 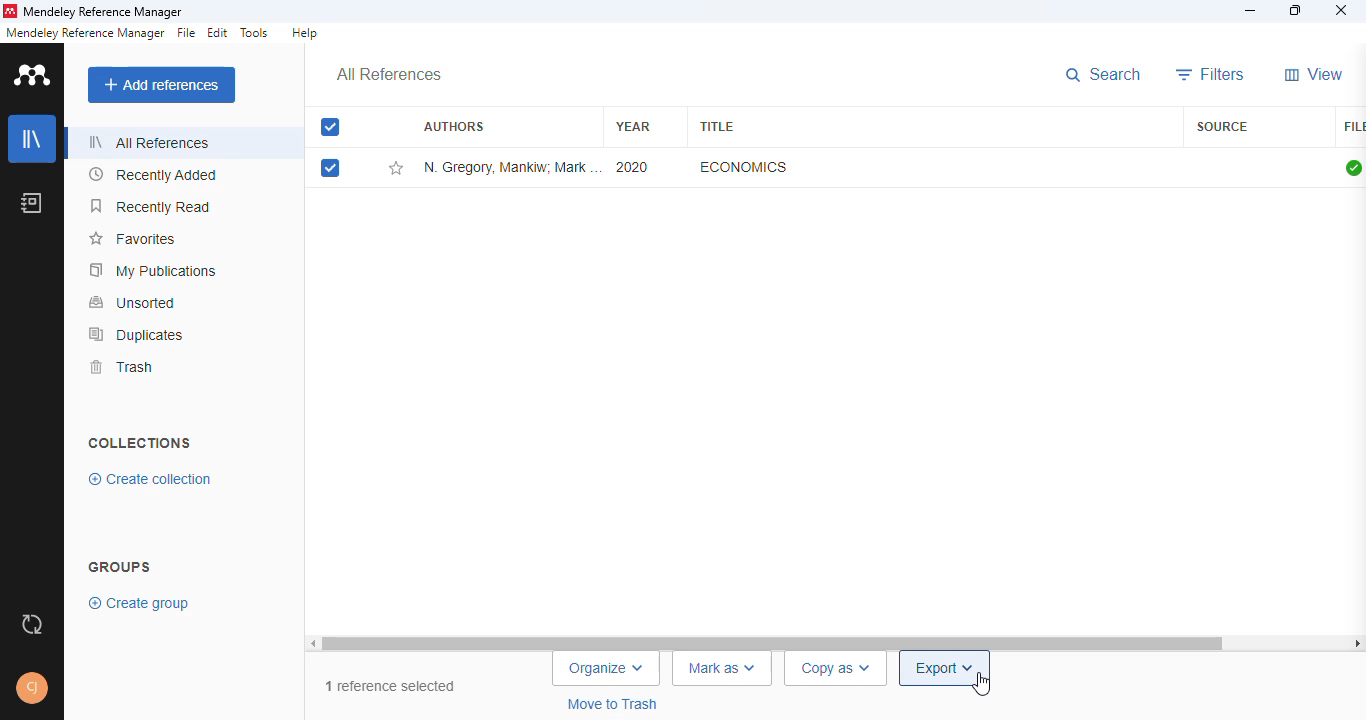 What do you see at coordinates (32, 74) in the screenshot?
I see `logo` at bounding box center [32, 74].